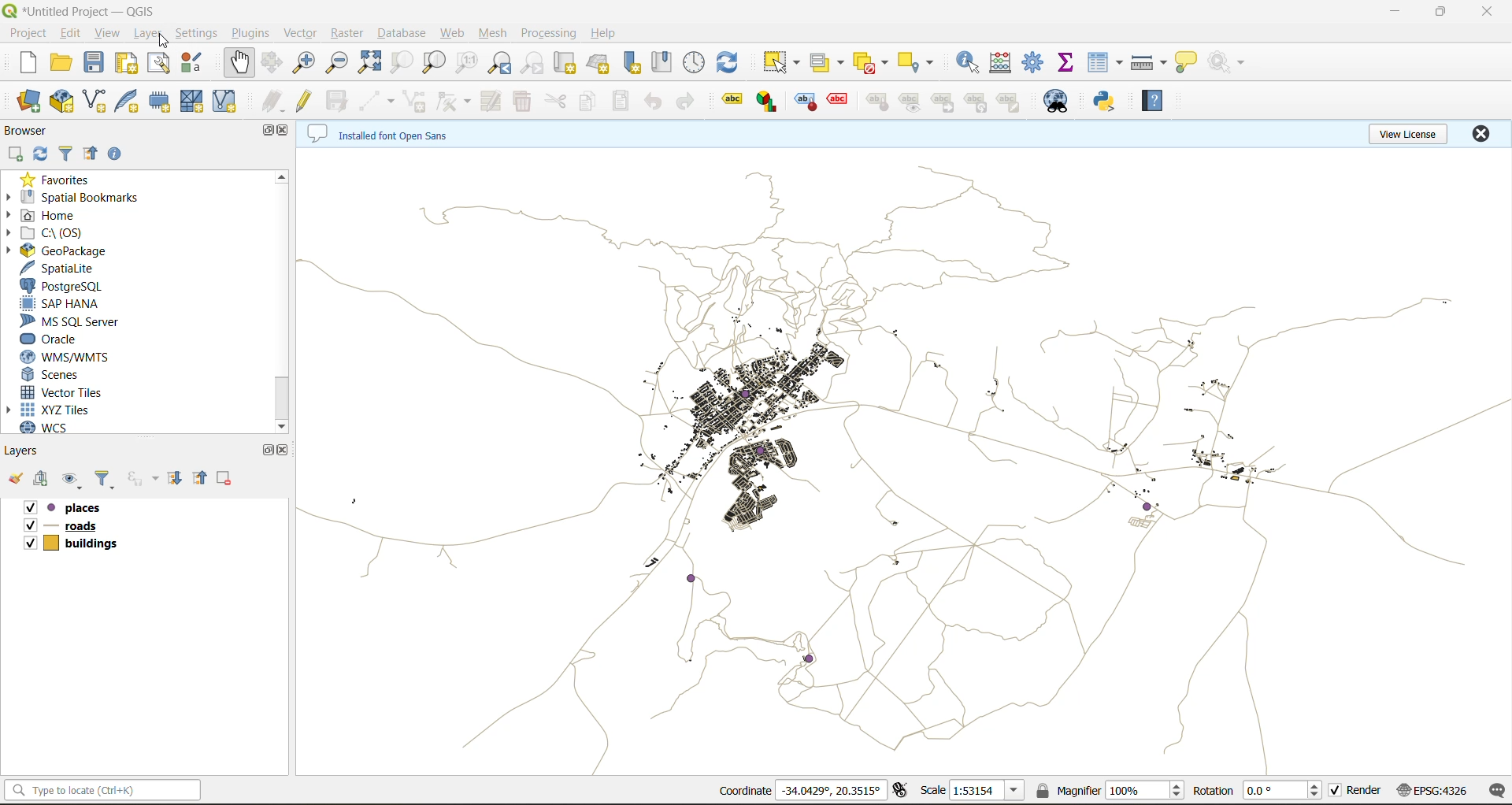 The height and width of the screenshot is (805, 1512). I want to click on label tool 3, so click(805, 102).